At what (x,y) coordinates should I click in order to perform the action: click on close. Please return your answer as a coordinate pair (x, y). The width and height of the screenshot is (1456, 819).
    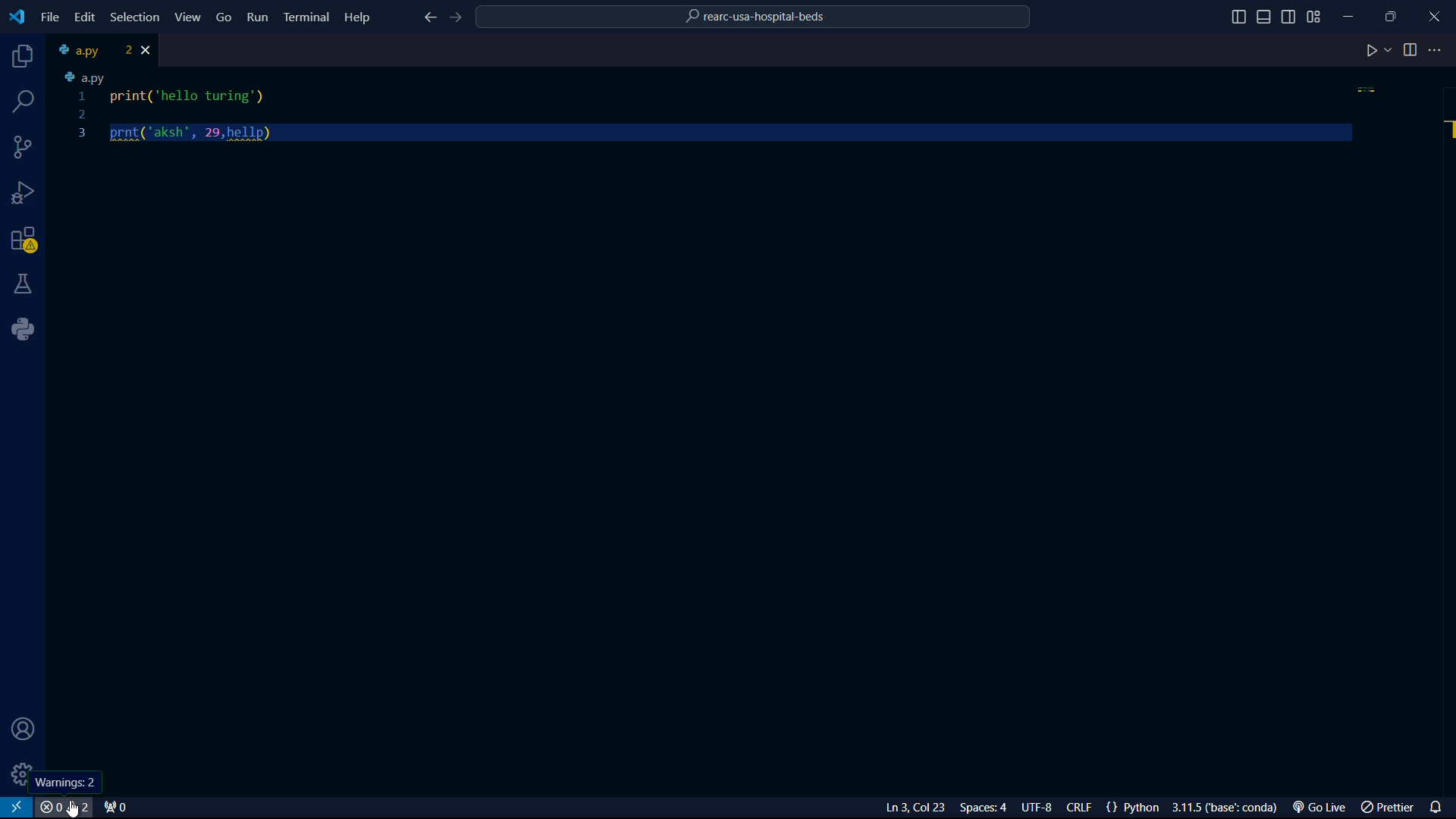
    Looking at the image, I should click on (149, 50).